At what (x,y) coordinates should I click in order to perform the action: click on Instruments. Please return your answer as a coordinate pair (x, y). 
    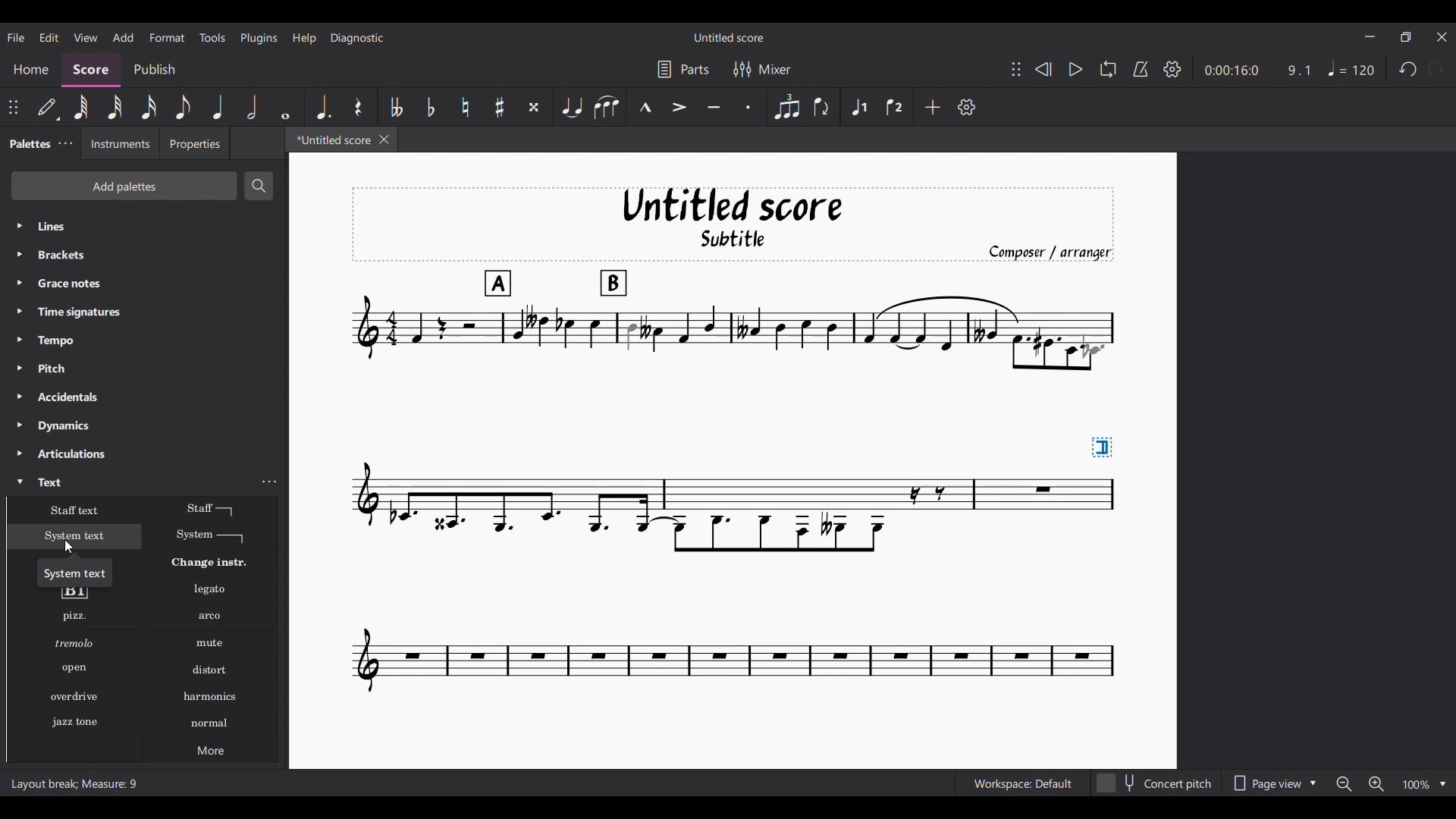
    Looking at the image, I should click on (119, 143).